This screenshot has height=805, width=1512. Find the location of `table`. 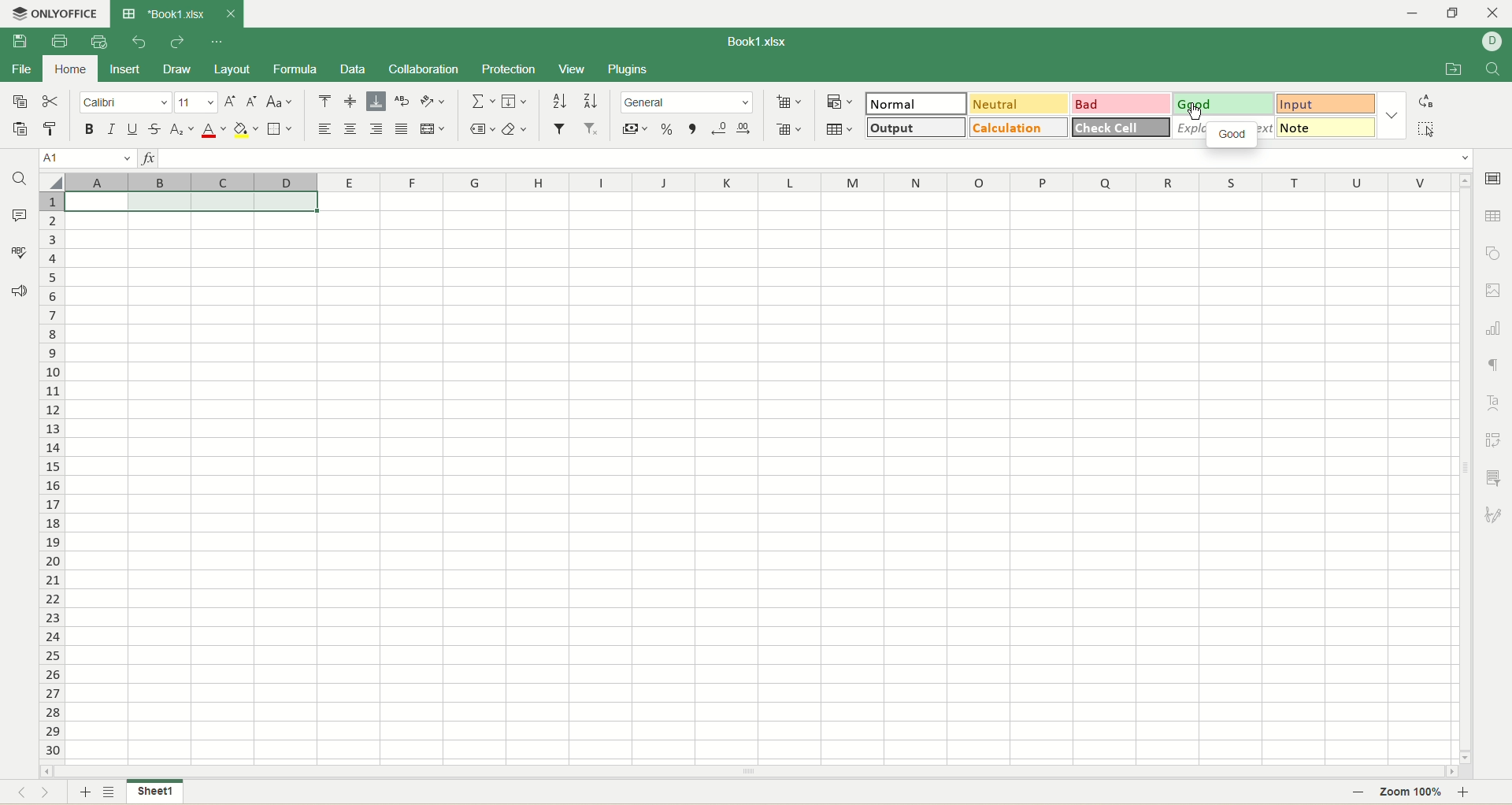

table is located at coordinates (843, 129).